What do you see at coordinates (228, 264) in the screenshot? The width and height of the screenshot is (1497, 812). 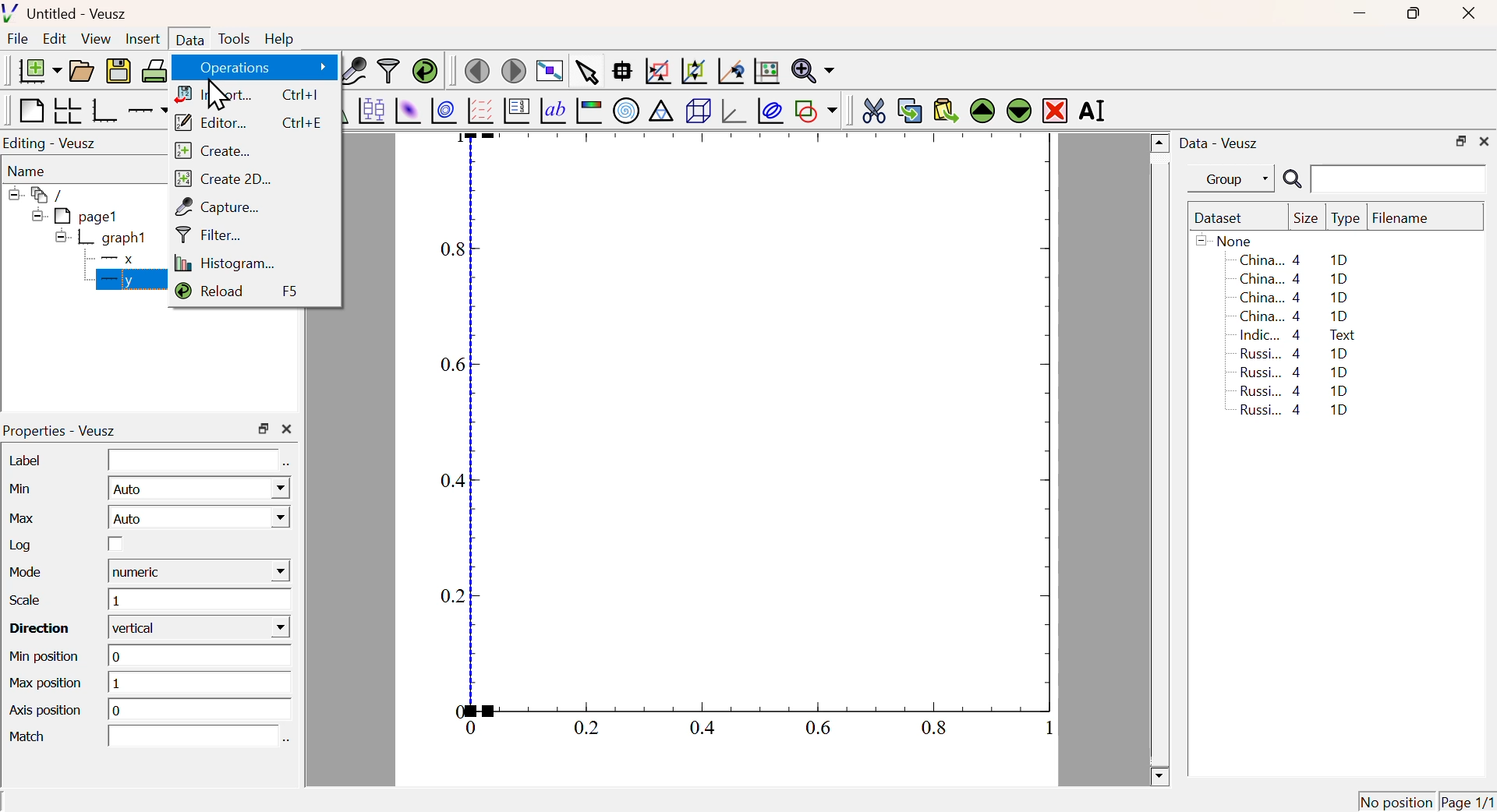 I see `Histogram...` at bounding box center [228, 264].